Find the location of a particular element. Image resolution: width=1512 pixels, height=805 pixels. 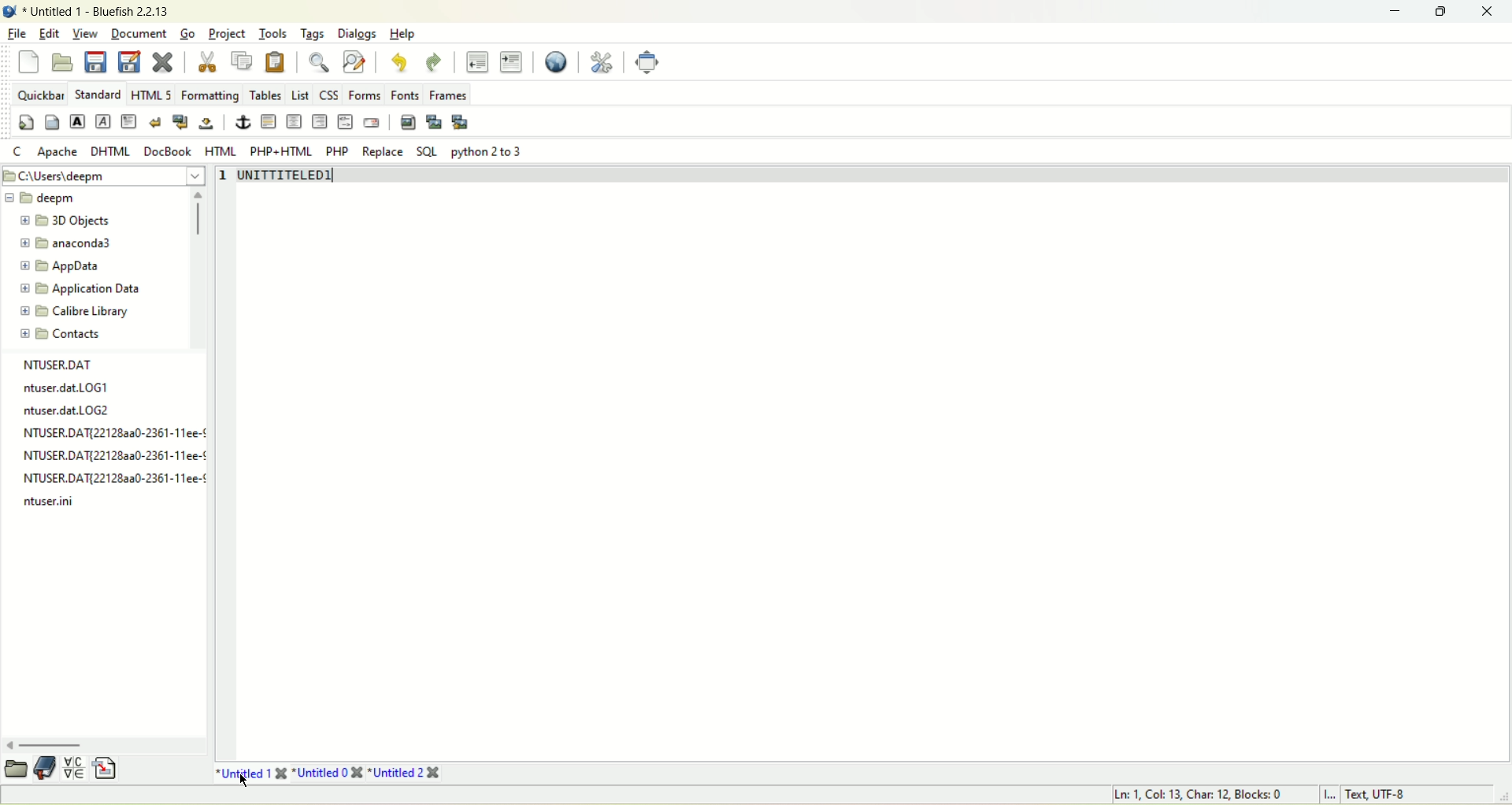

L Text UTF-8 is located at coordinates (1362, 793).